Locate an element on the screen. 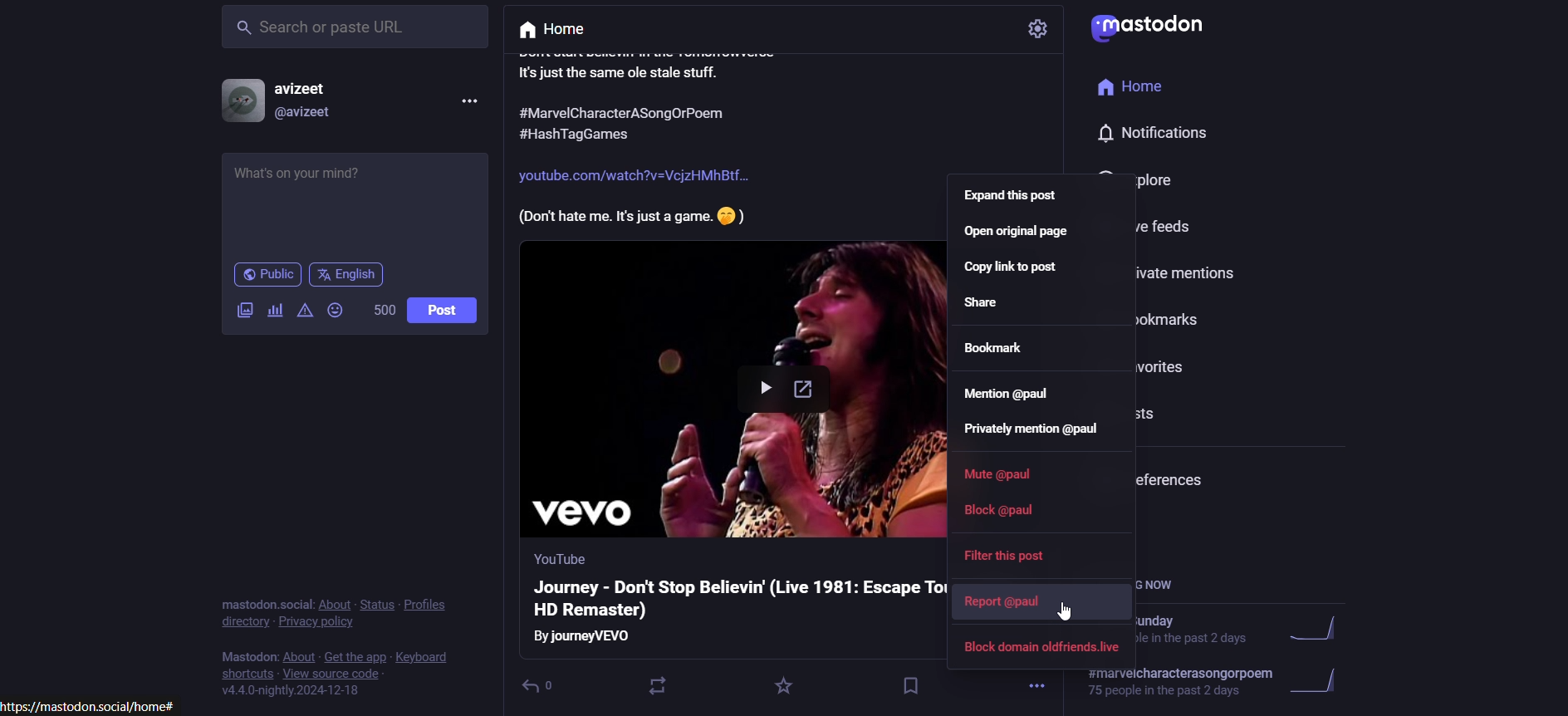 This screenshot has width=1568, height=716.  is located at coordinates (1069, 612).